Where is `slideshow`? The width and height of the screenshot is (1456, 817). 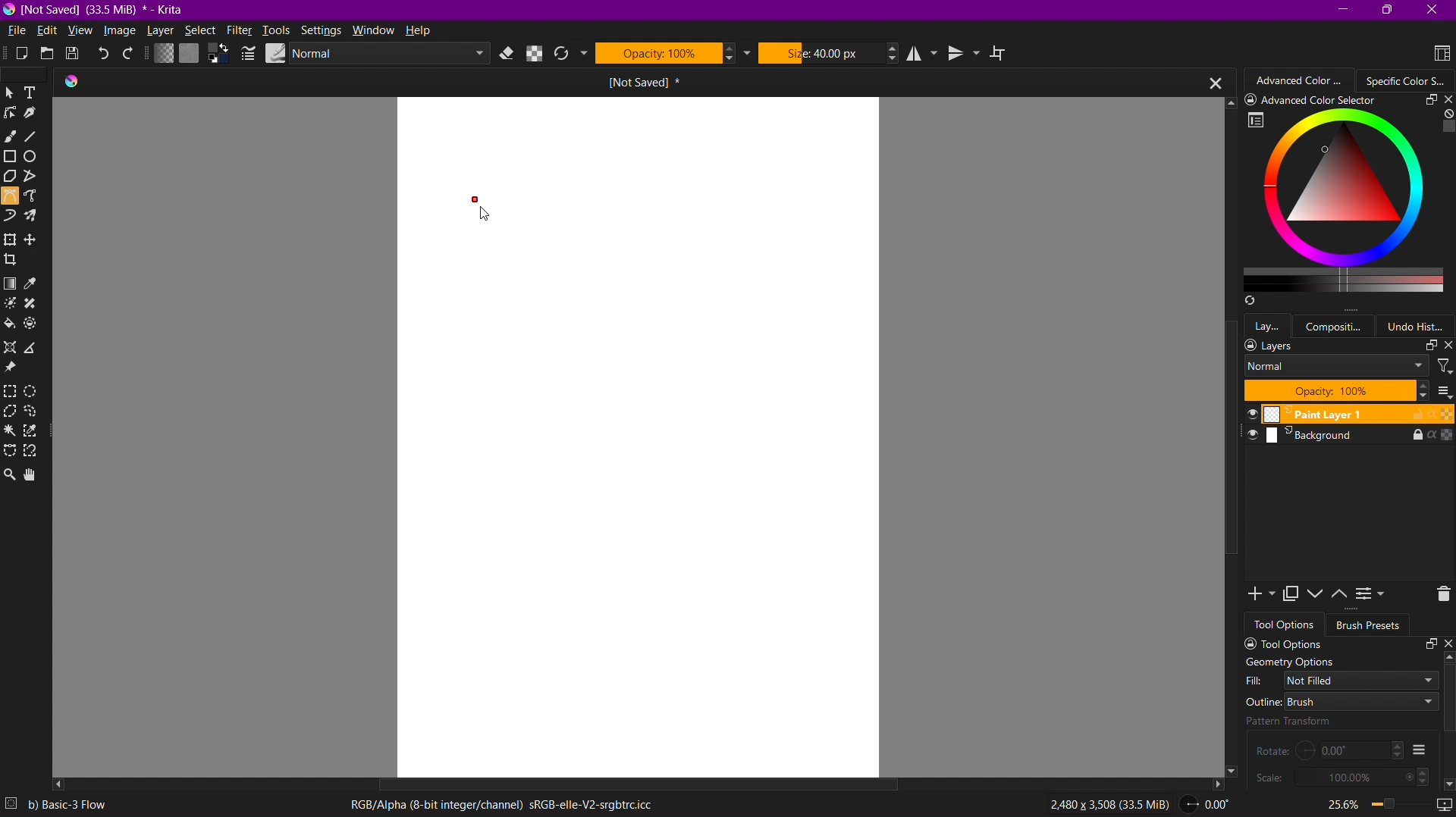
slideshow is located at coordinates (1441, 800).